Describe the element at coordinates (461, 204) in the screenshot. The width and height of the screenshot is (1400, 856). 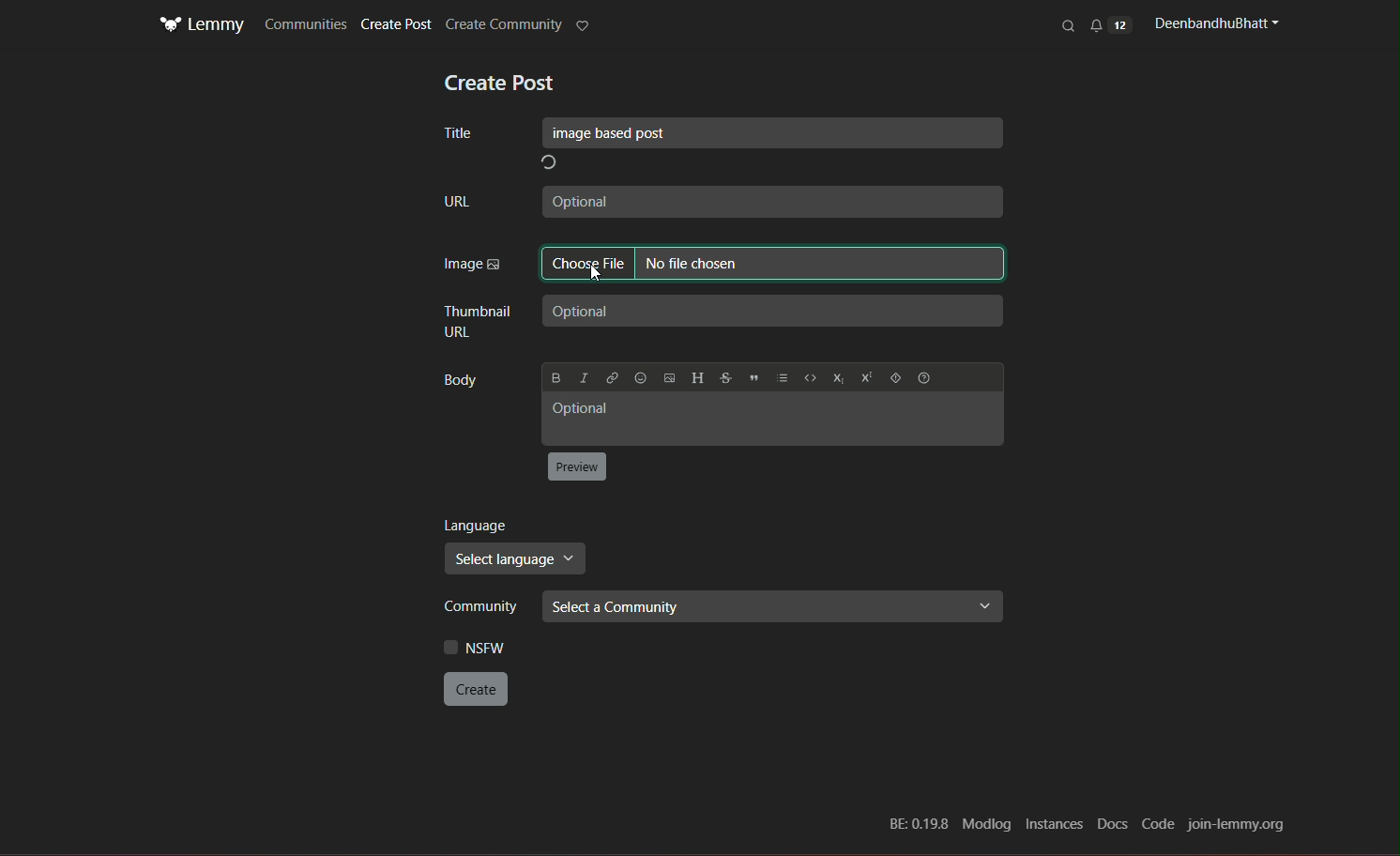
I see `URL` at that location.